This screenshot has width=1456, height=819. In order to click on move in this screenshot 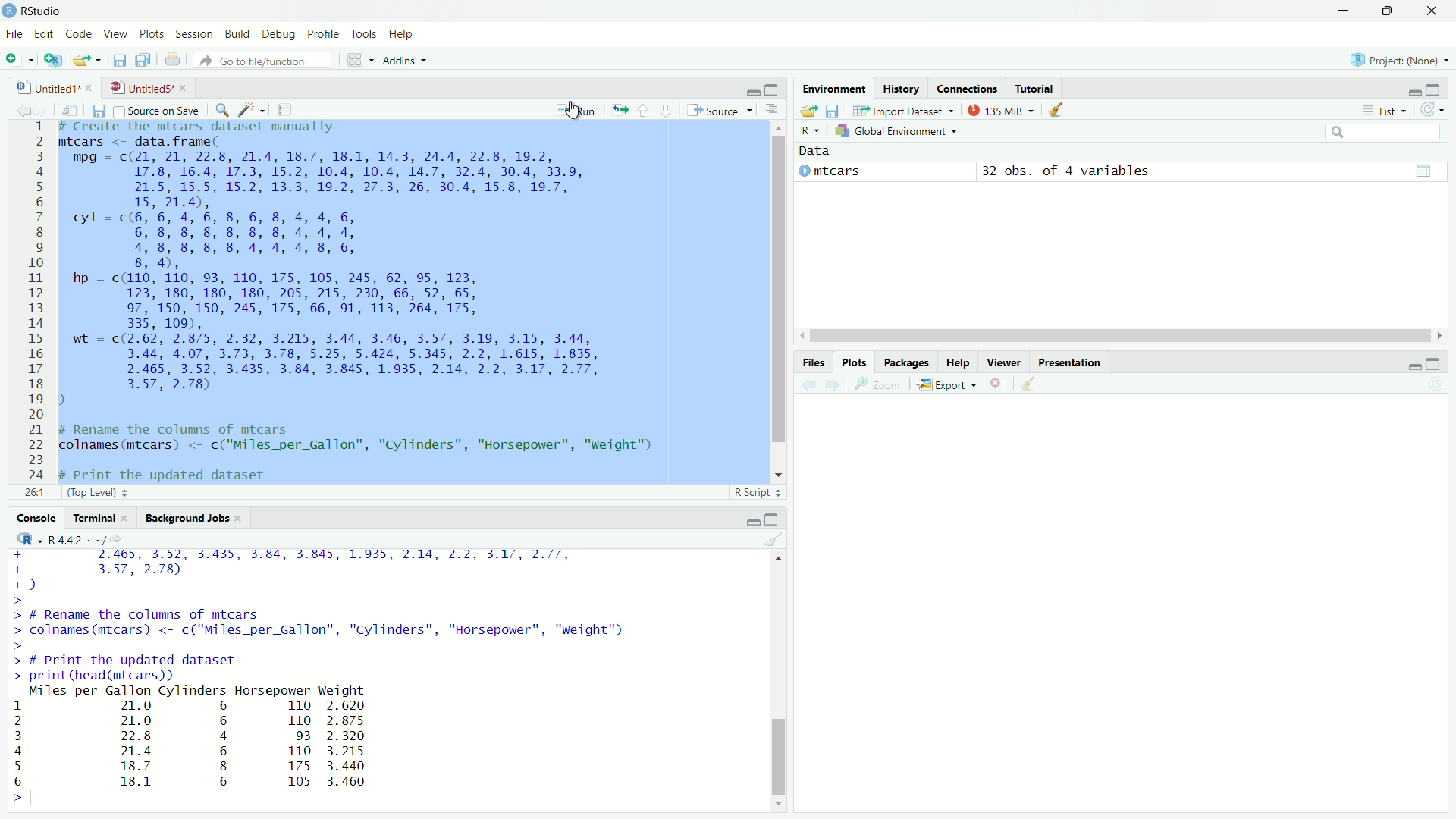, I will do `click(70, 109)`.